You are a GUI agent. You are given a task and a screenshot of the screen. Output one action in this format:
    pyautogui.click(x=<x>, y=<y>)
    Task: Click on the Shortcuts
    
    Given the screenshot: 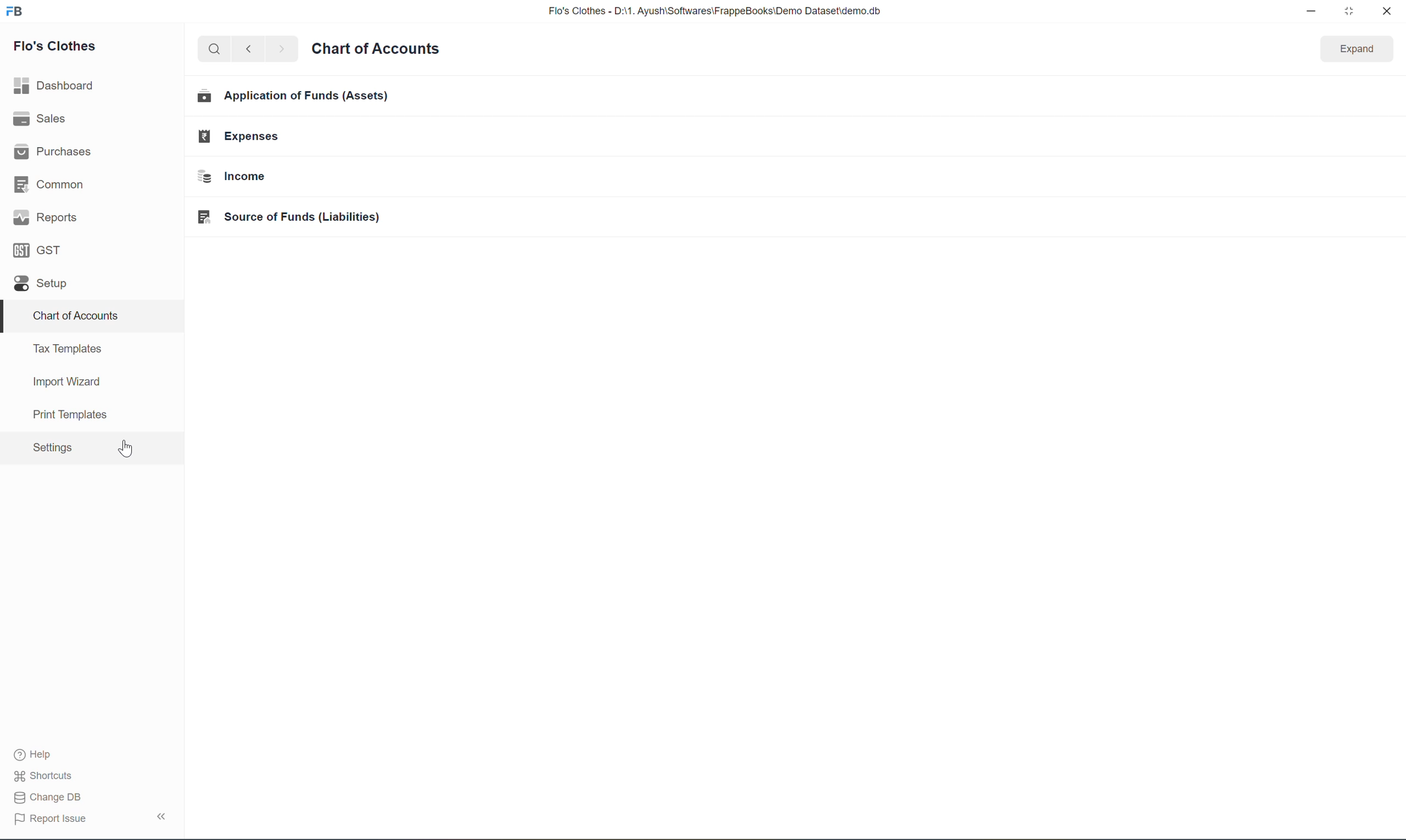 What is the action you would take?
    pyautogui.click(x=45, y=775)
    